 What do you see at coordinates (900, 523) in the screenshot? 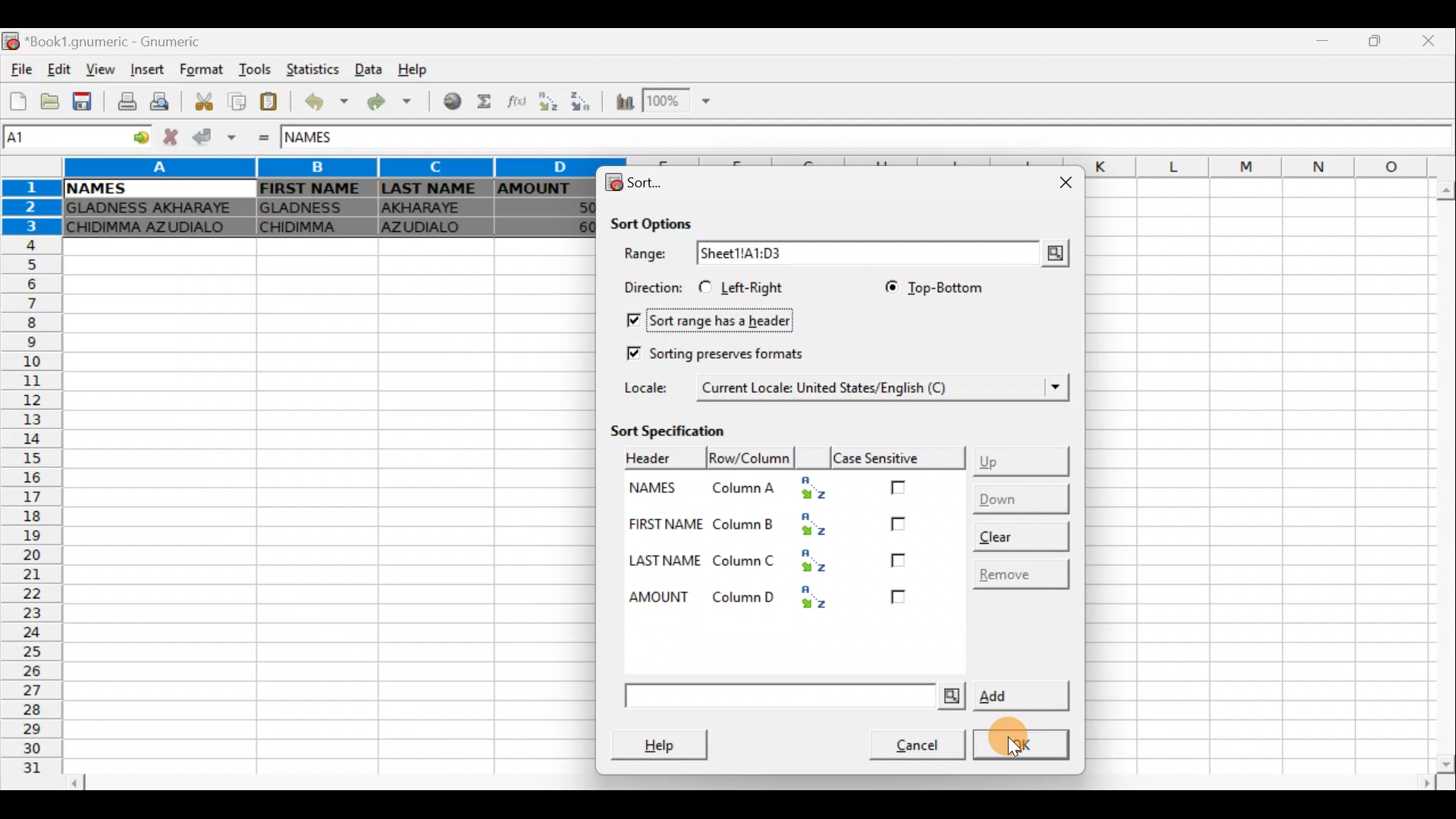
I see `Checkbox` at bounding box center [900, 523].